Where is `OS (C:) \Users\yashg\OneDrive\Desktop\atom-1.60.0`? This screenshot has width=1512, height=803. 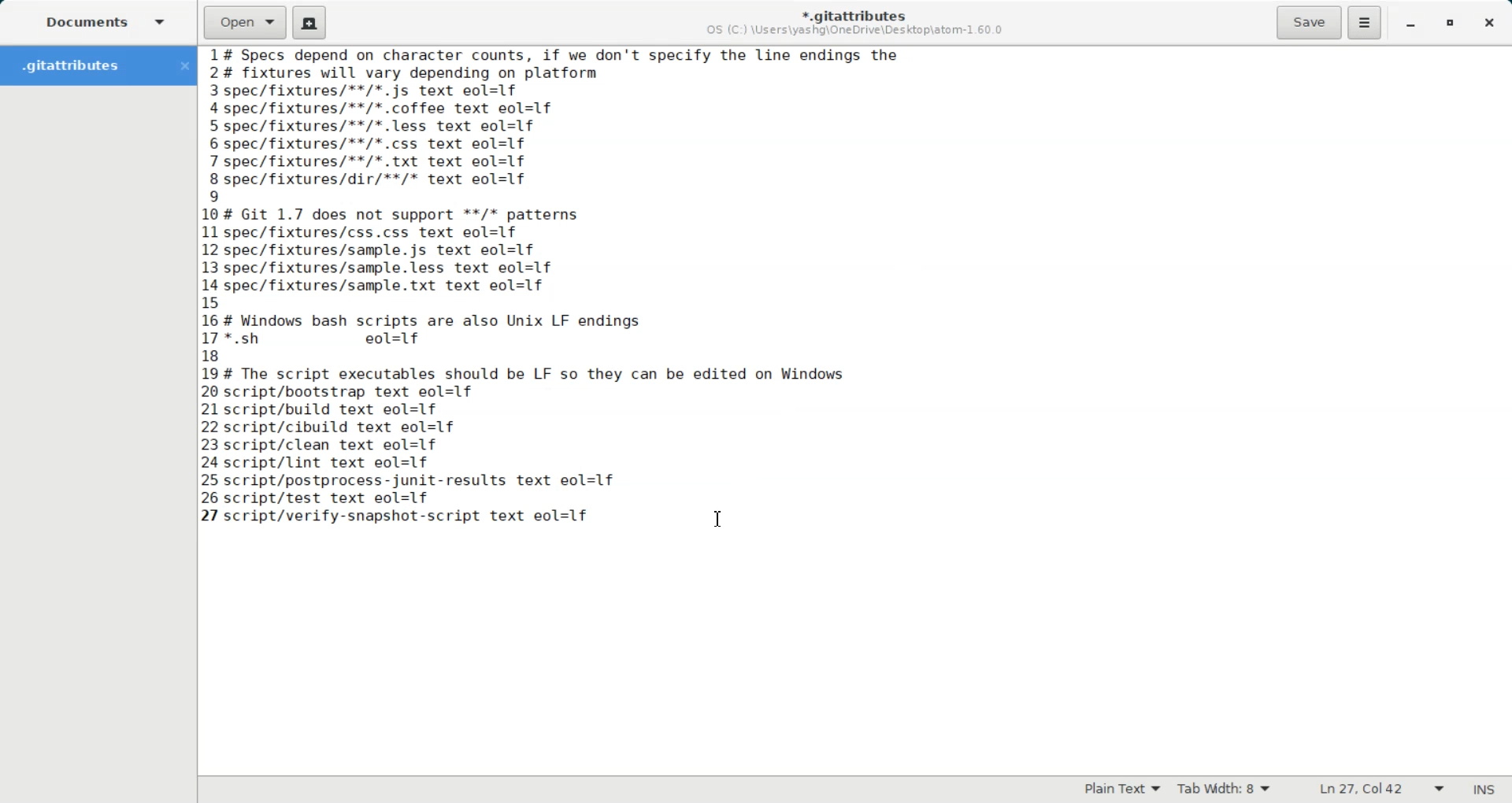
OS (C:) \Users\yashg\OneDrive\Desktop\atom-1.60.0 is located at coordinates (858, 31).